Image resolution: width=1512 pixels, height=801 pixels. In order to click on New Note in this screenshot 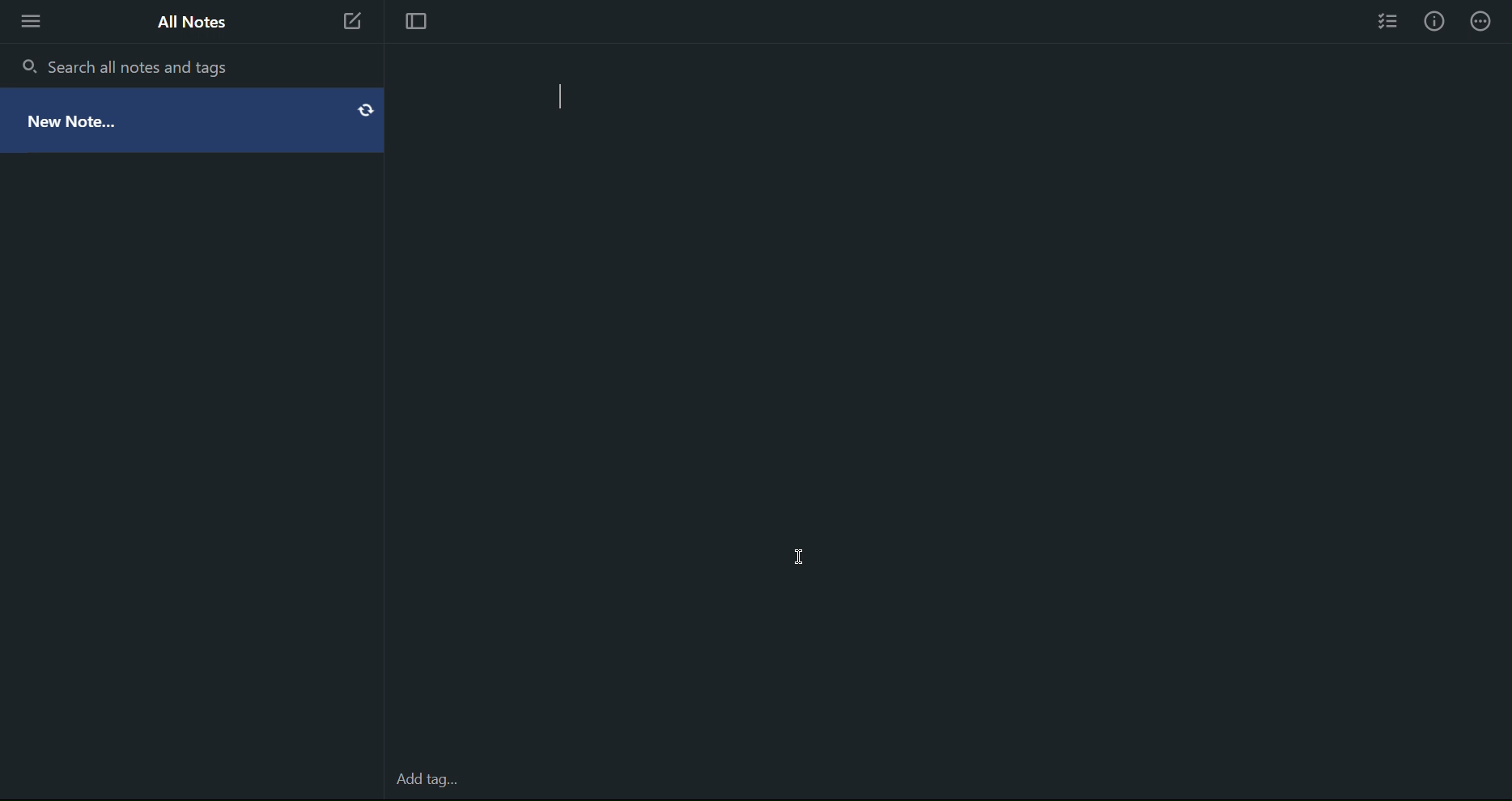, I will do `click(194, 116)`.